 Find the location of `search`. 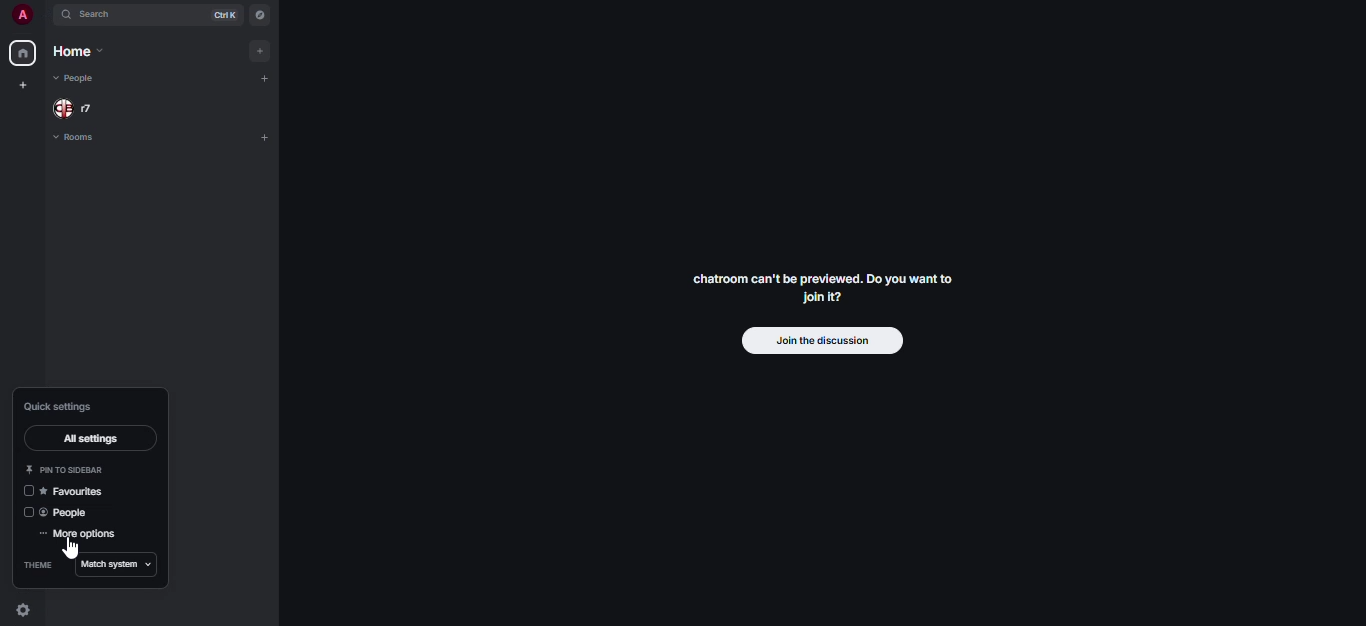

search is located at coordinates (97, 13).